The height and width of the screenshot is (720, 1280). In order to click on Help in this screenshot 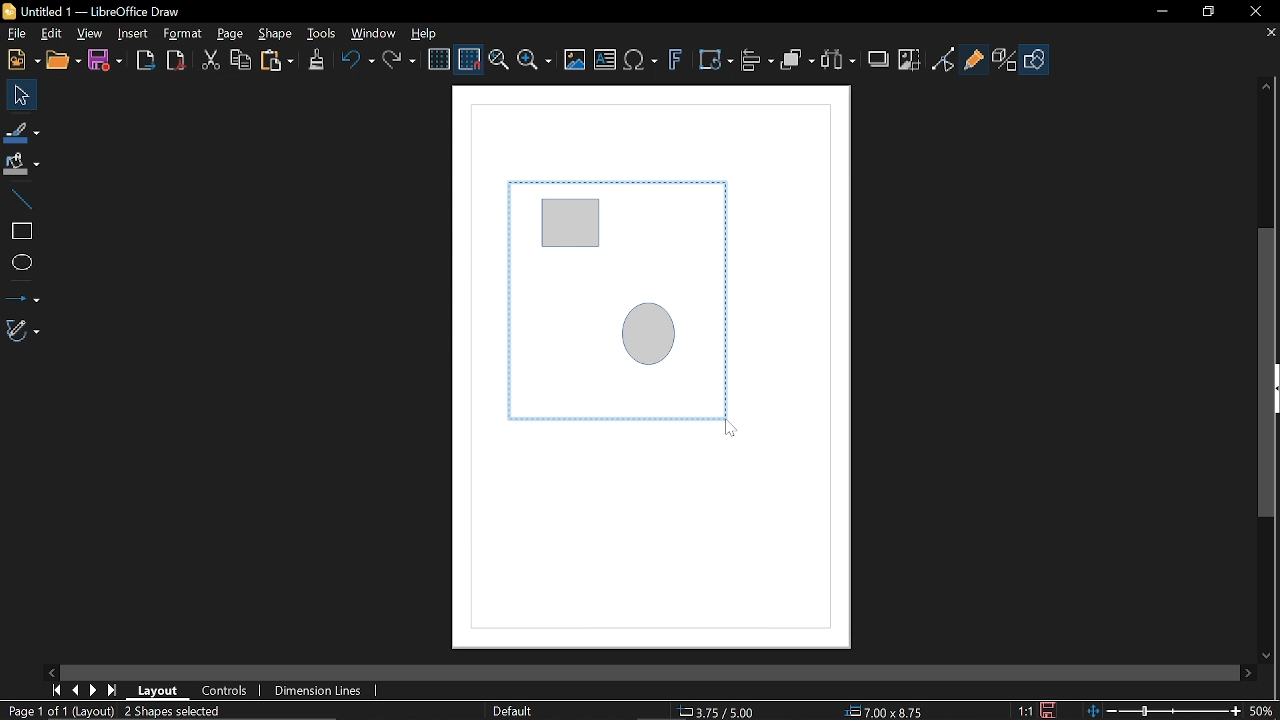, I will do `click(428, 33)`.